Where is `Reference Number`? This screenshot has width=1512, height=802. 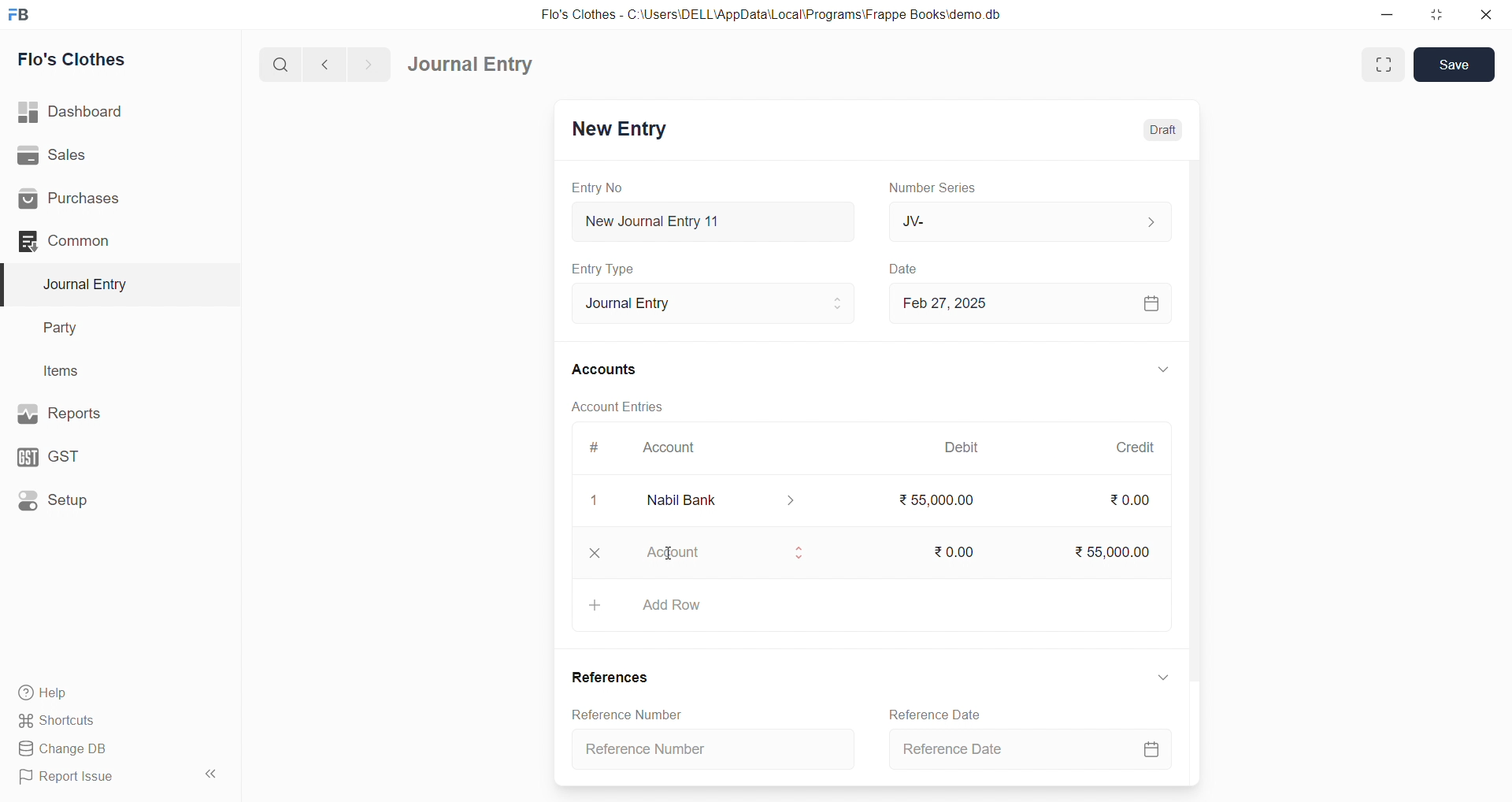
Reference Number is located at coordinates (627, 712).